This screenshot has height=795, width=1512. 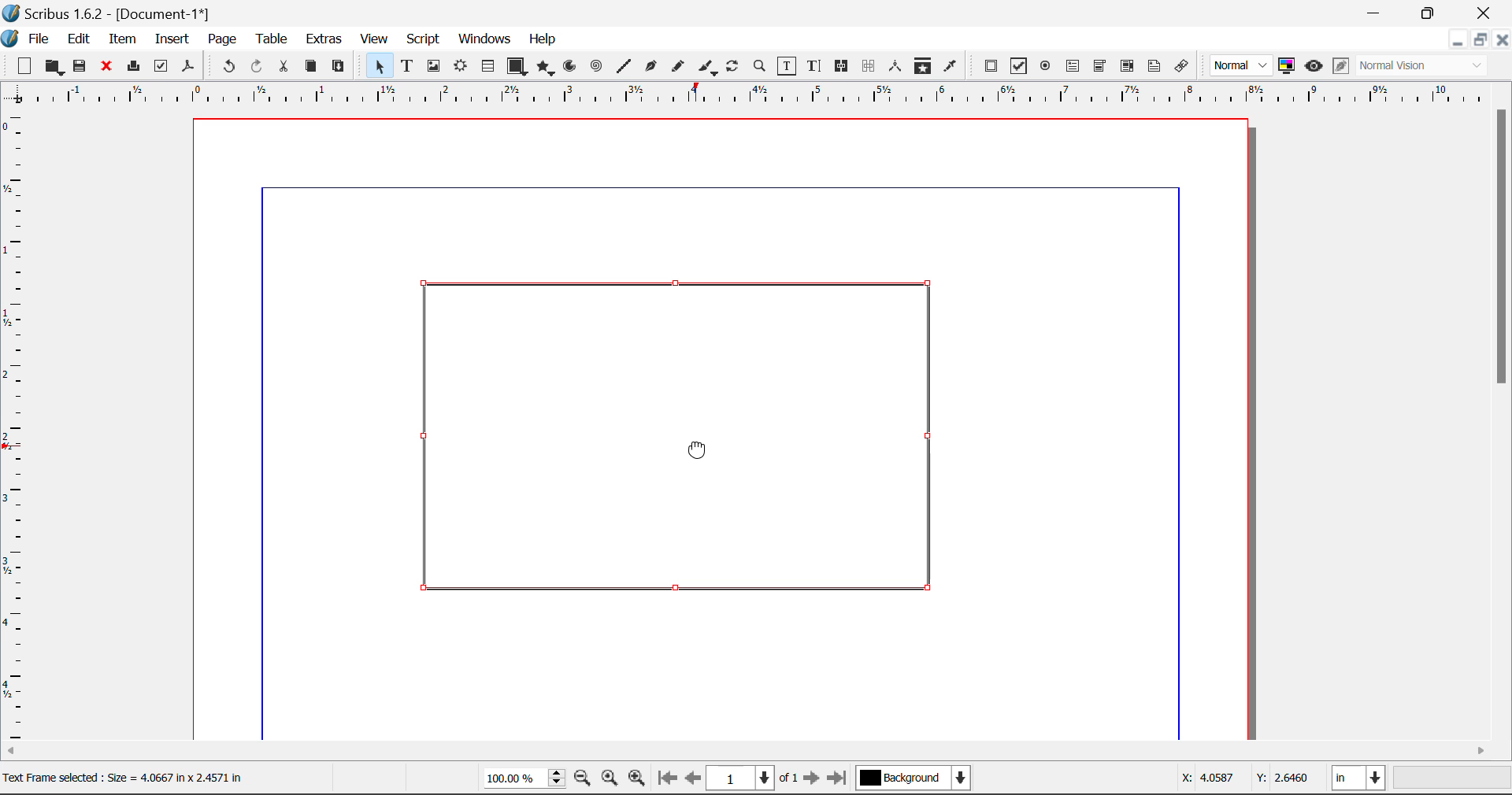 I want to click on Link Annotation, so click(x=1180, y=66).